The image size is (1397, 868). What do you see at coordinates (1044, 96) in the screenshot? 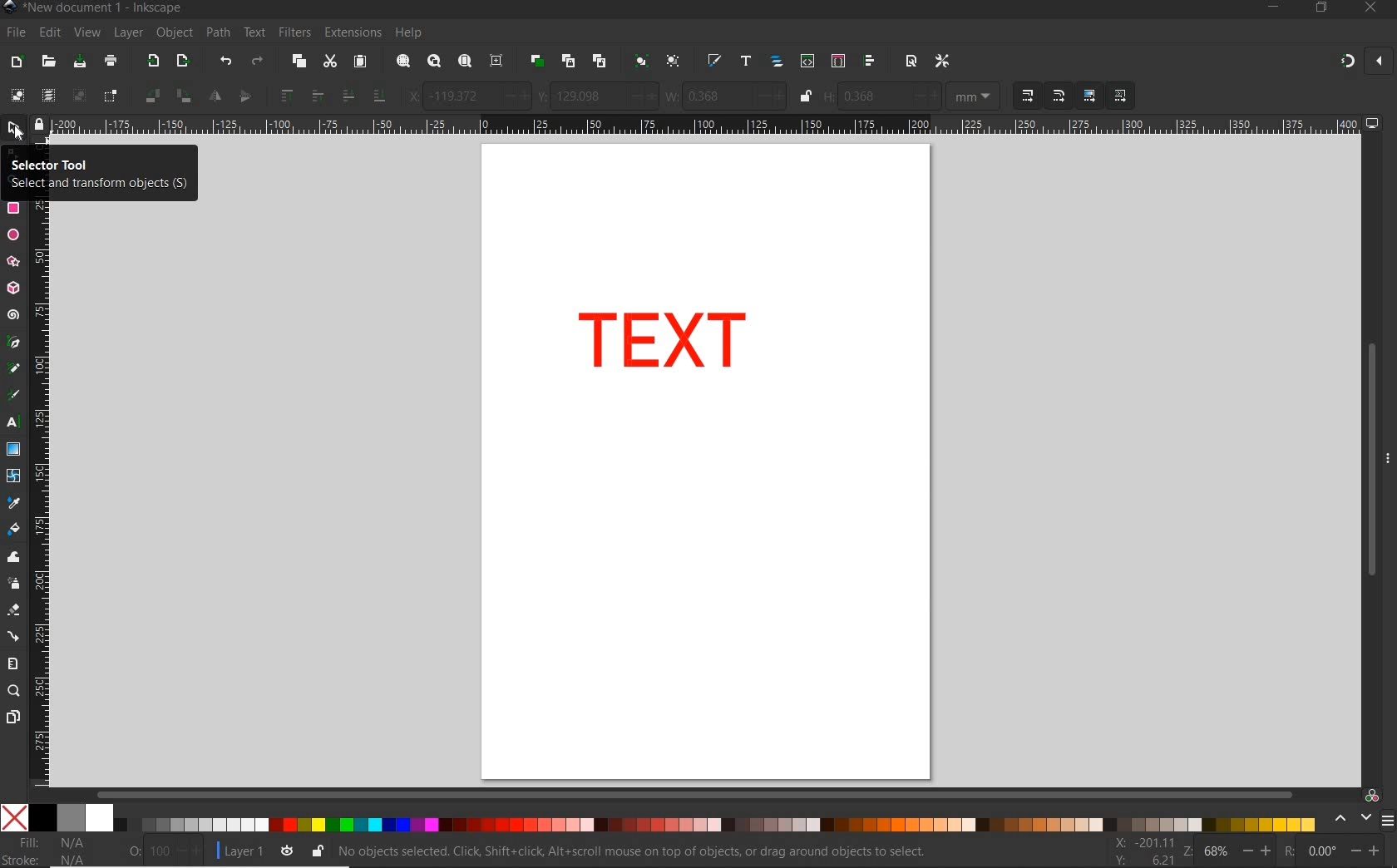
I see `SCALING` at bounding box center [1044, 96].